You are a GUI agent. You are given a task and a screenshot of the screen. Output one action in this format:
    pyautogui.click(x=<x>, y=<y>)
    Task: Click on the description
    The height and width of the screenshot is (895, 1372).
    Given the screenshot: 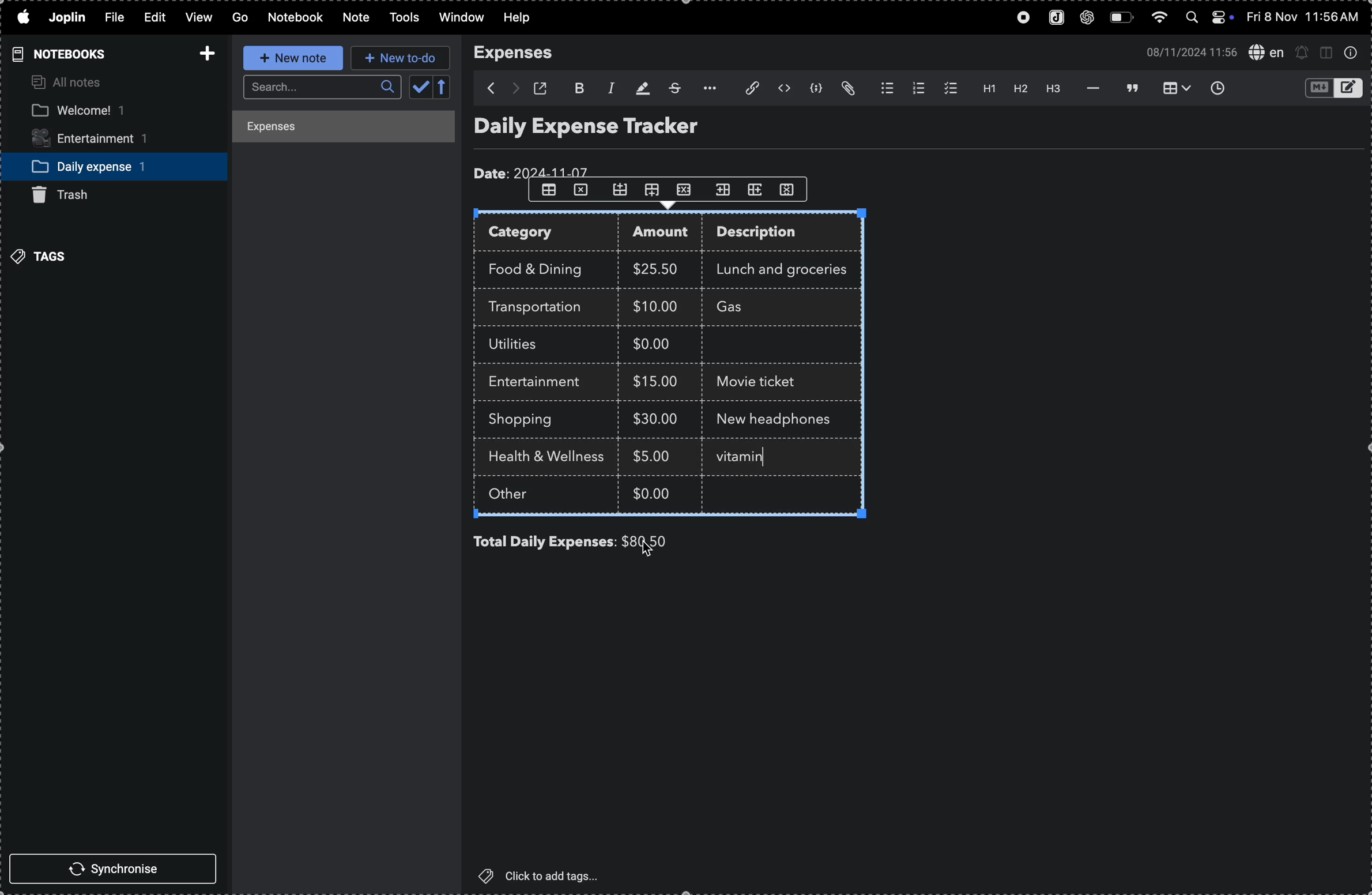 What is the action you would take?
    pyautogui.click(x=768, y=234)
    